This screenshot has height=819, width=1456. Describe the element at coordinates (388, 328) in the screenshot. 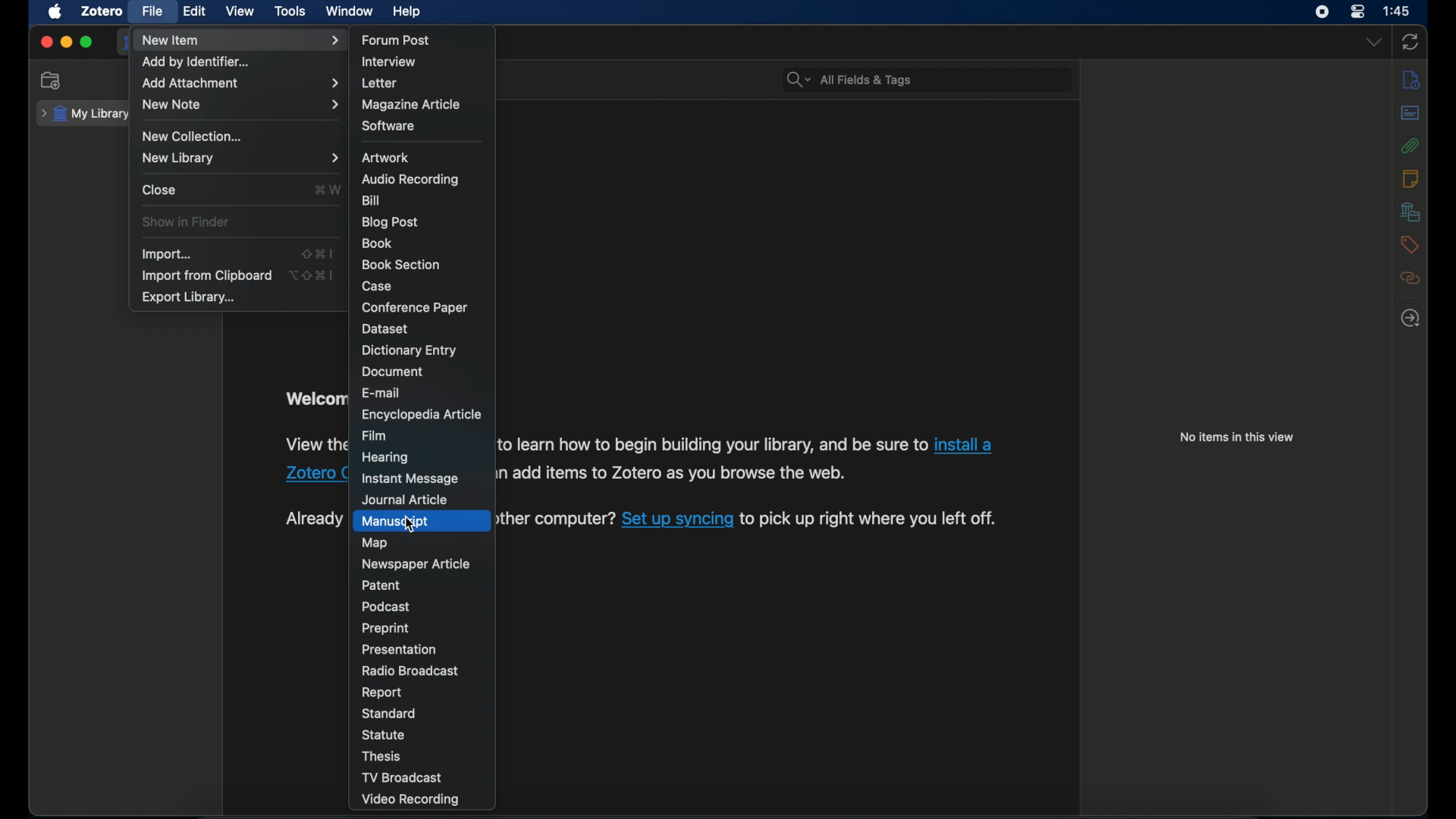

I see `dataset` at that location.